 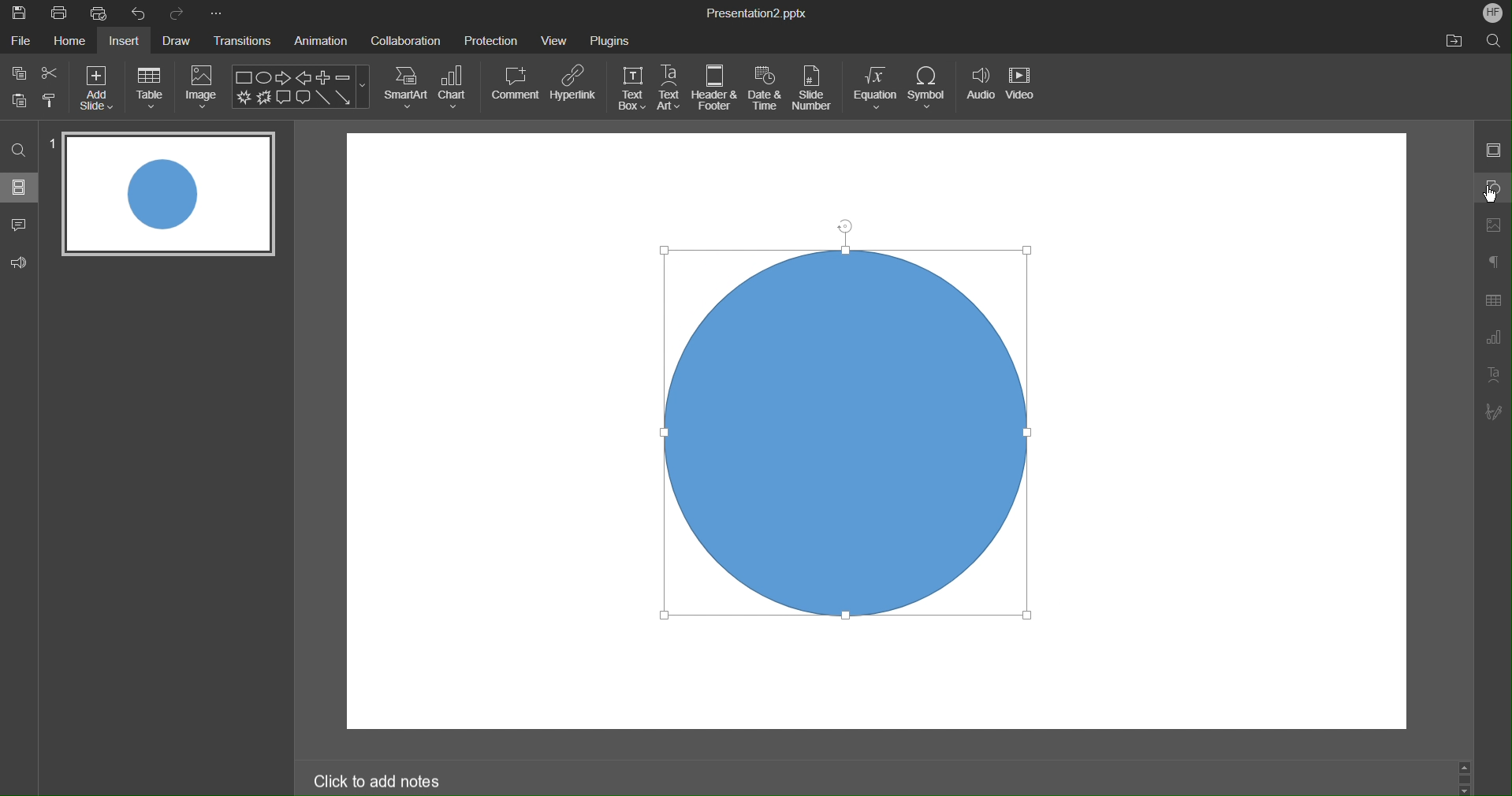 What do you see at coordinates (556, 40) in the screenshot?
I see `View` at bounding box center [556, 40].